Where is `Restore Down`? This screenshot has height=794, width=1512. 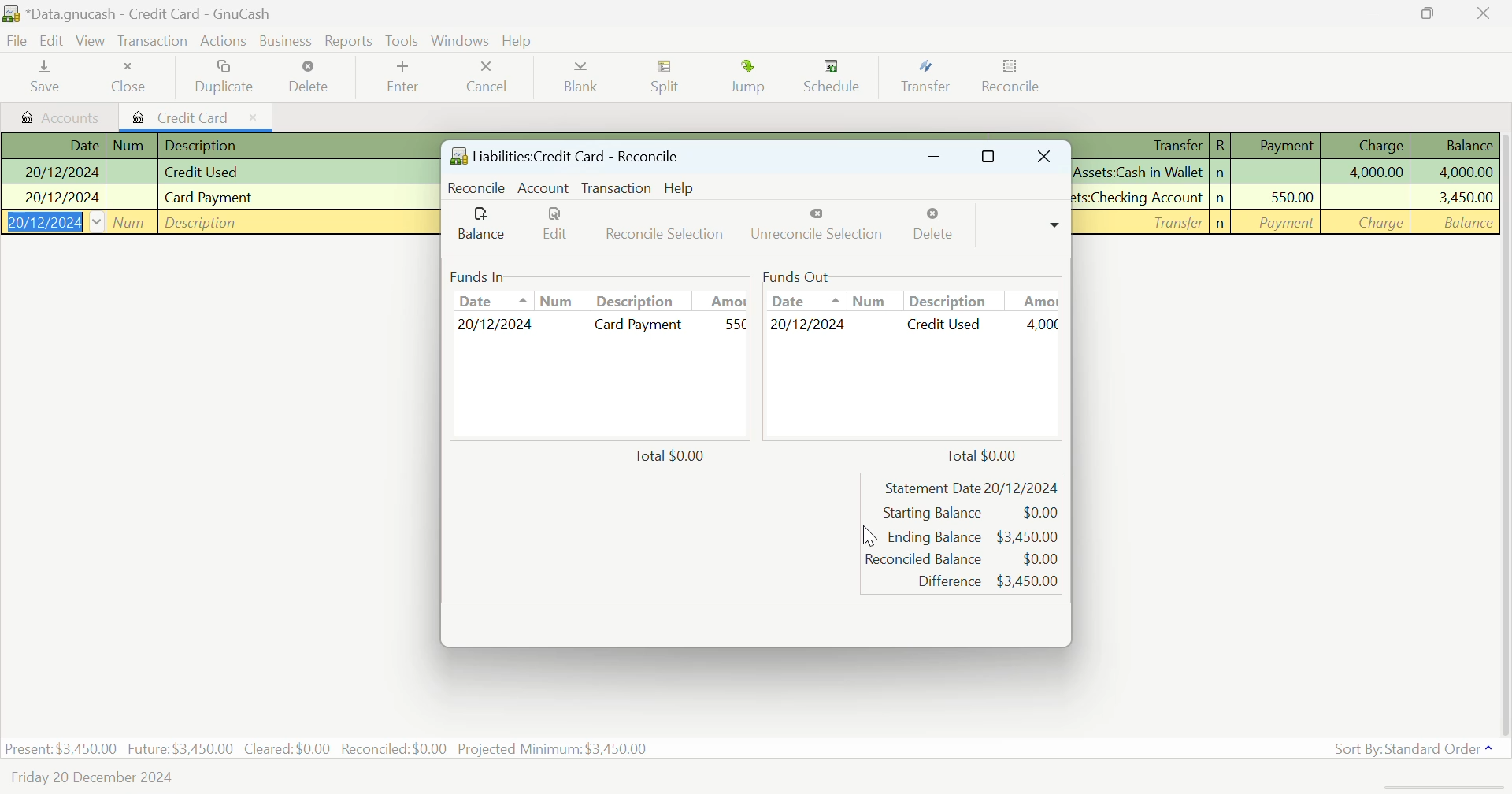
Restore Down is located at coordinates (932, 159).